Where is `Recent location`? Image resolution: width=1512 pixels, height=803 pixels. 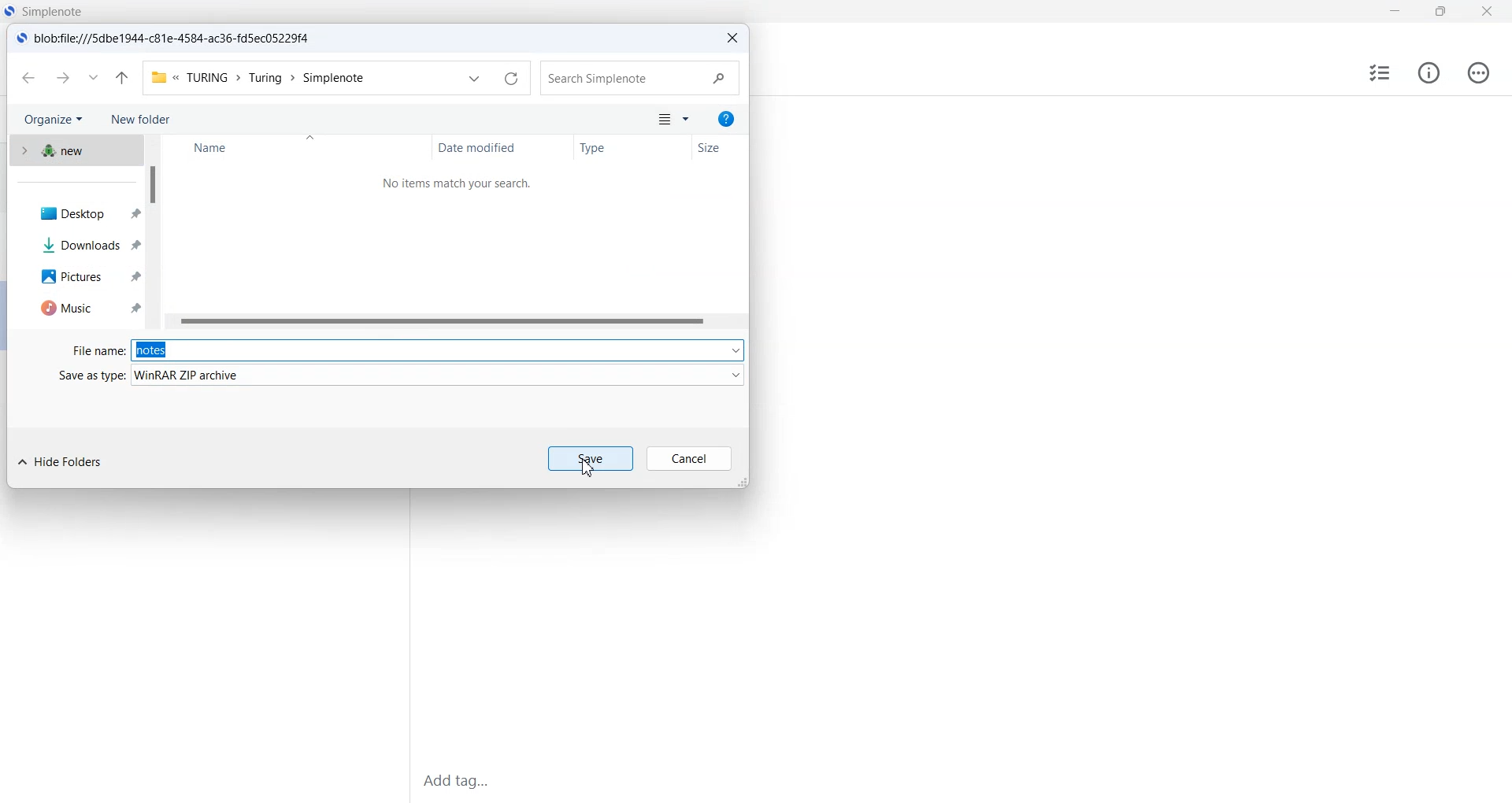
Recent location is located at coordinates (94, 77).